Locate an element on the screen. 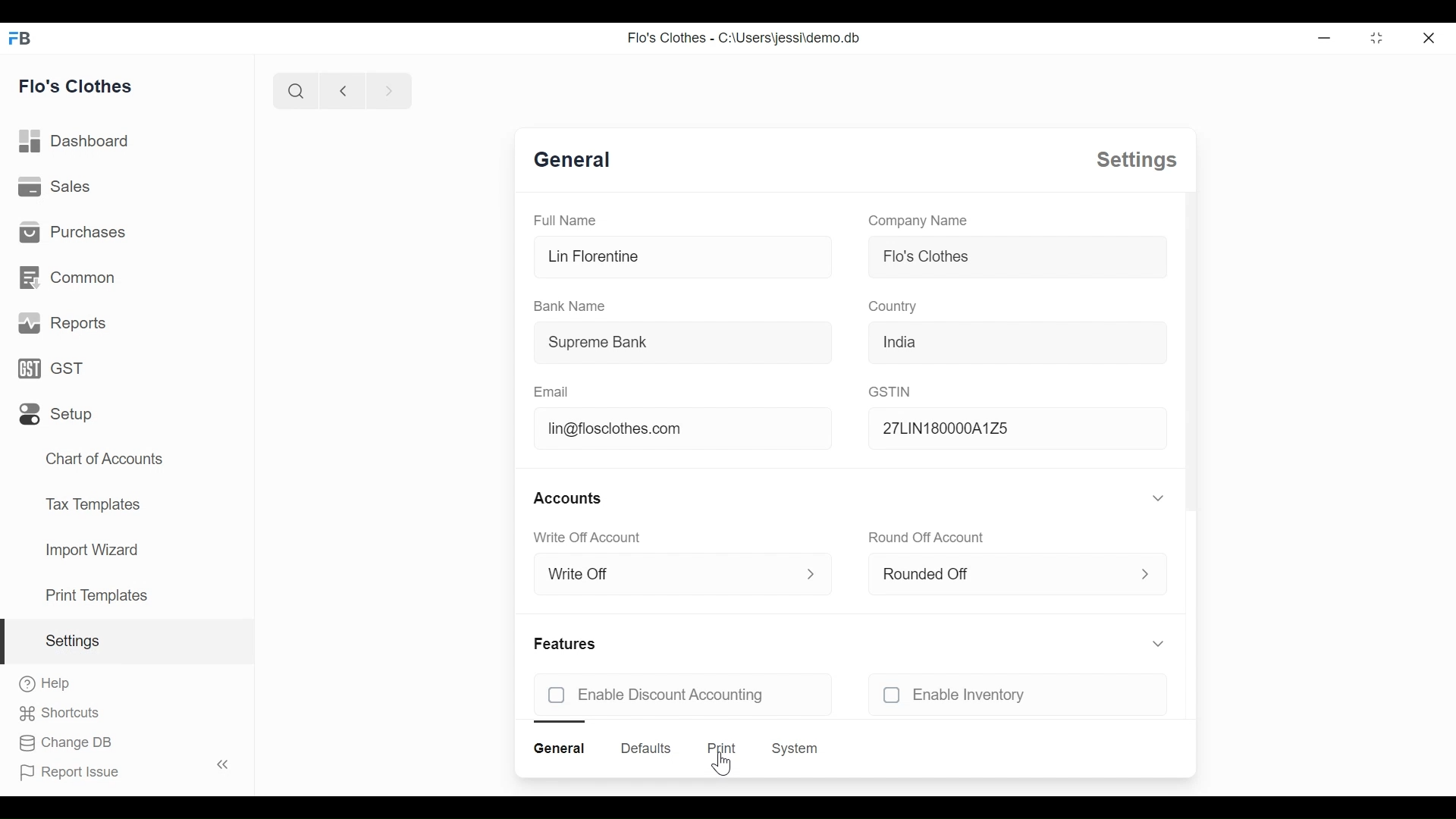 This screenshot has height=819, width=1456. next is located at coordinates (390, 90).